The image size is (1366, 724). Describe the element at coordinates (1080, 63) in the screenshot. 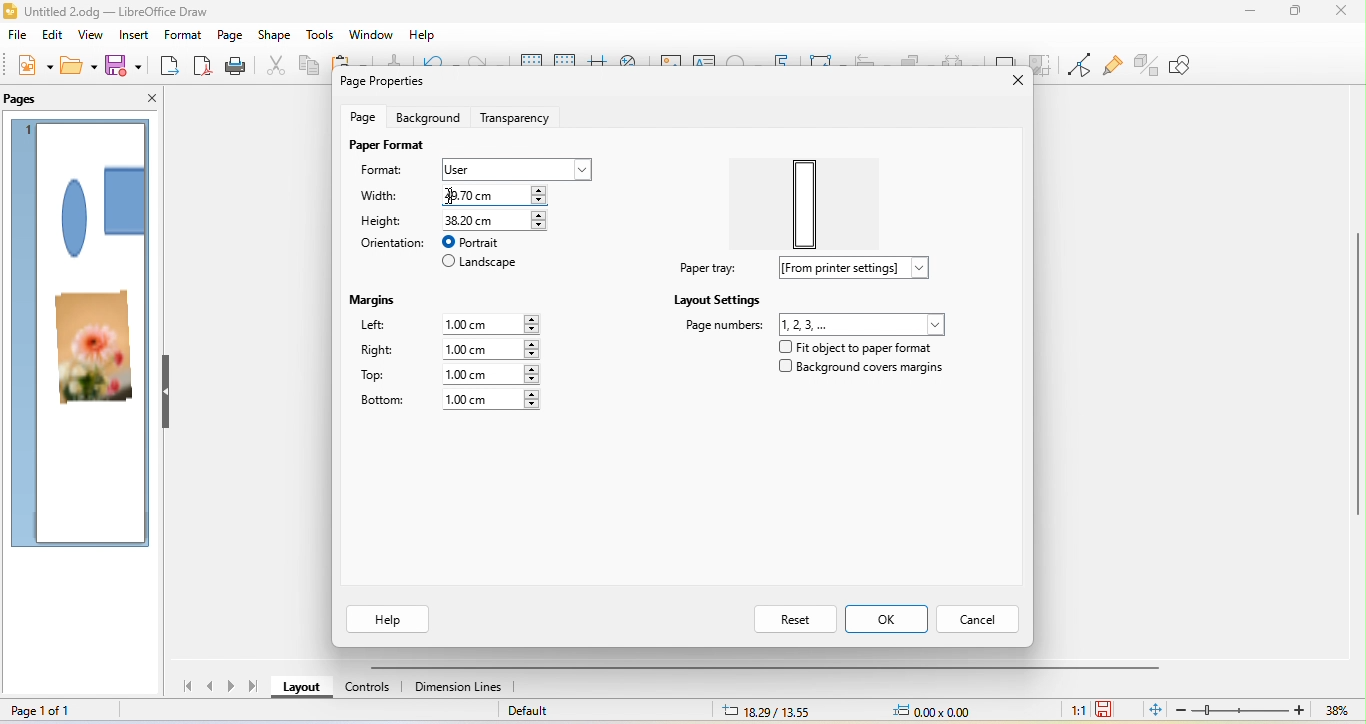

I see `toggle point edit mode` at that location.